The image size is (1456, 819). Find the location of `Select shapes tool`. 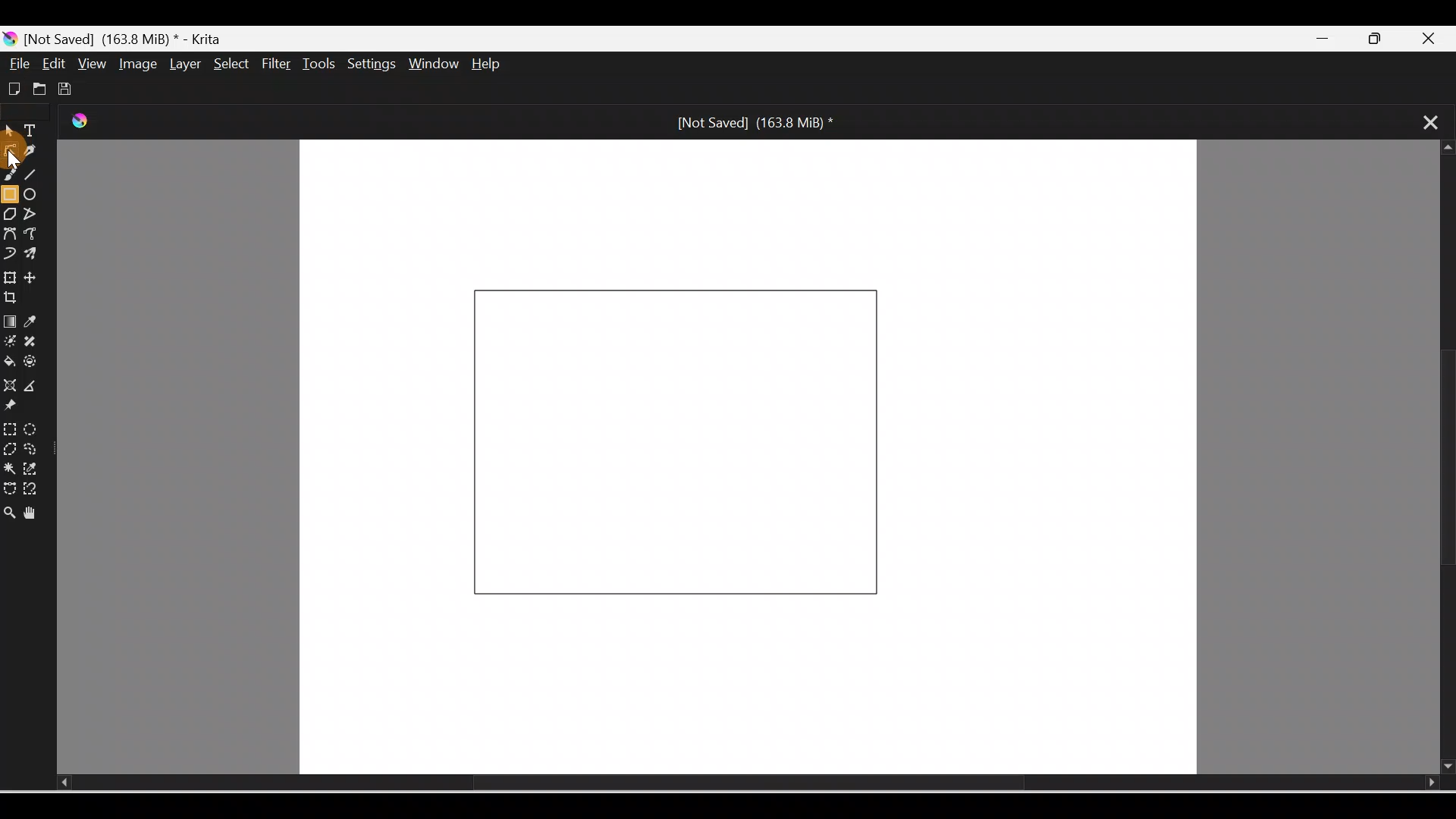

Select shapes tool is located at coordinates (9, 133).